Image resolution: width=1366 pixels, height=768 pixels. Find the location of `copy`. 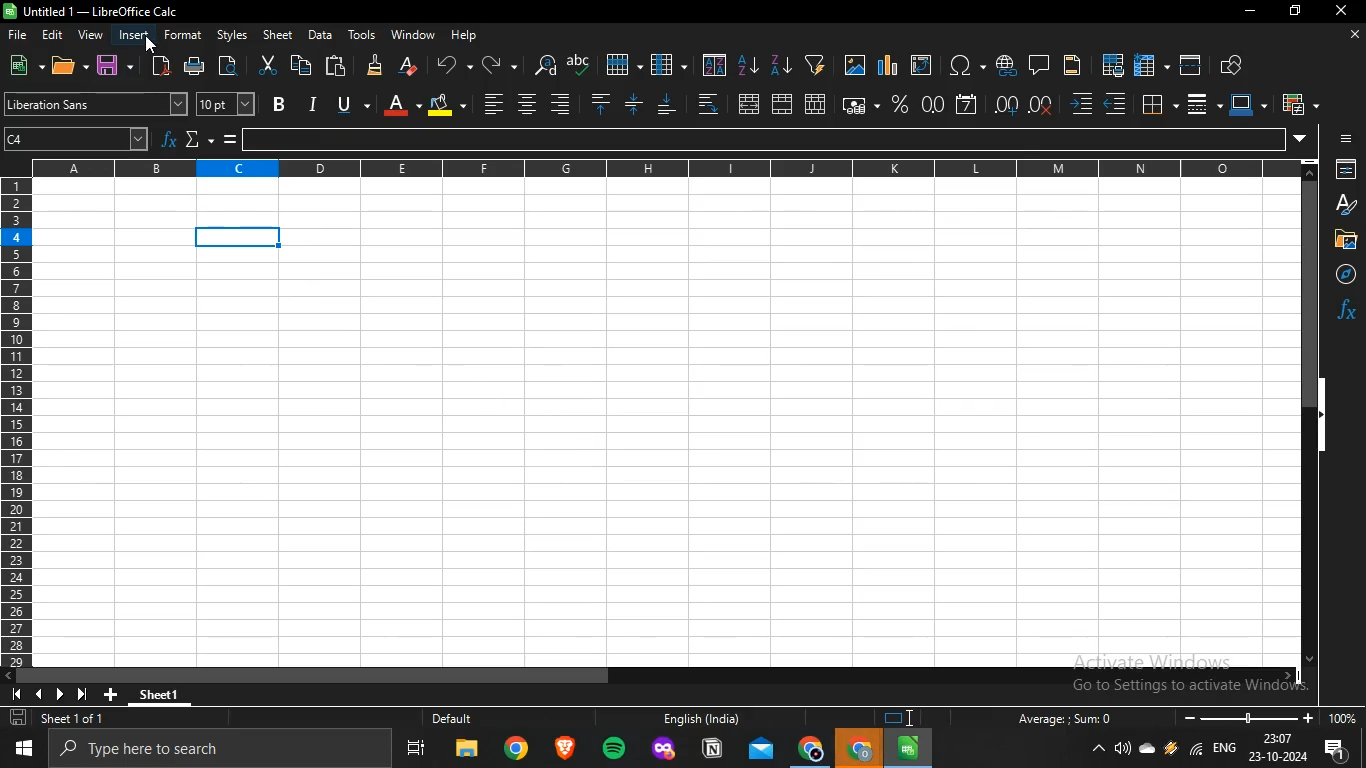

copy is located at coordinates (301, 65).